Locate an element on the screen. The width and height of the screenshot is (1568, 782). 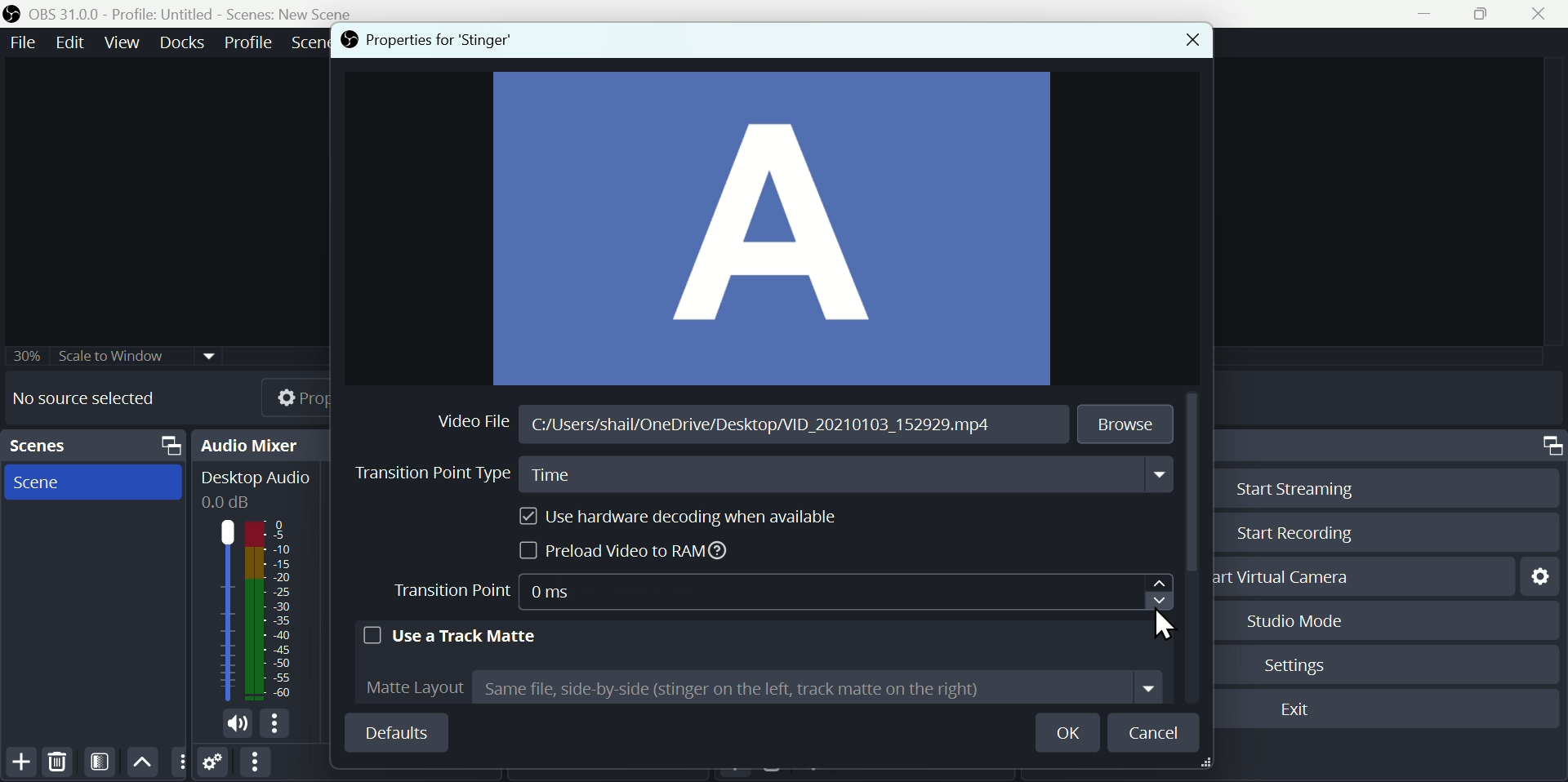
properties for Stinger is located at coordinates (424, 41).